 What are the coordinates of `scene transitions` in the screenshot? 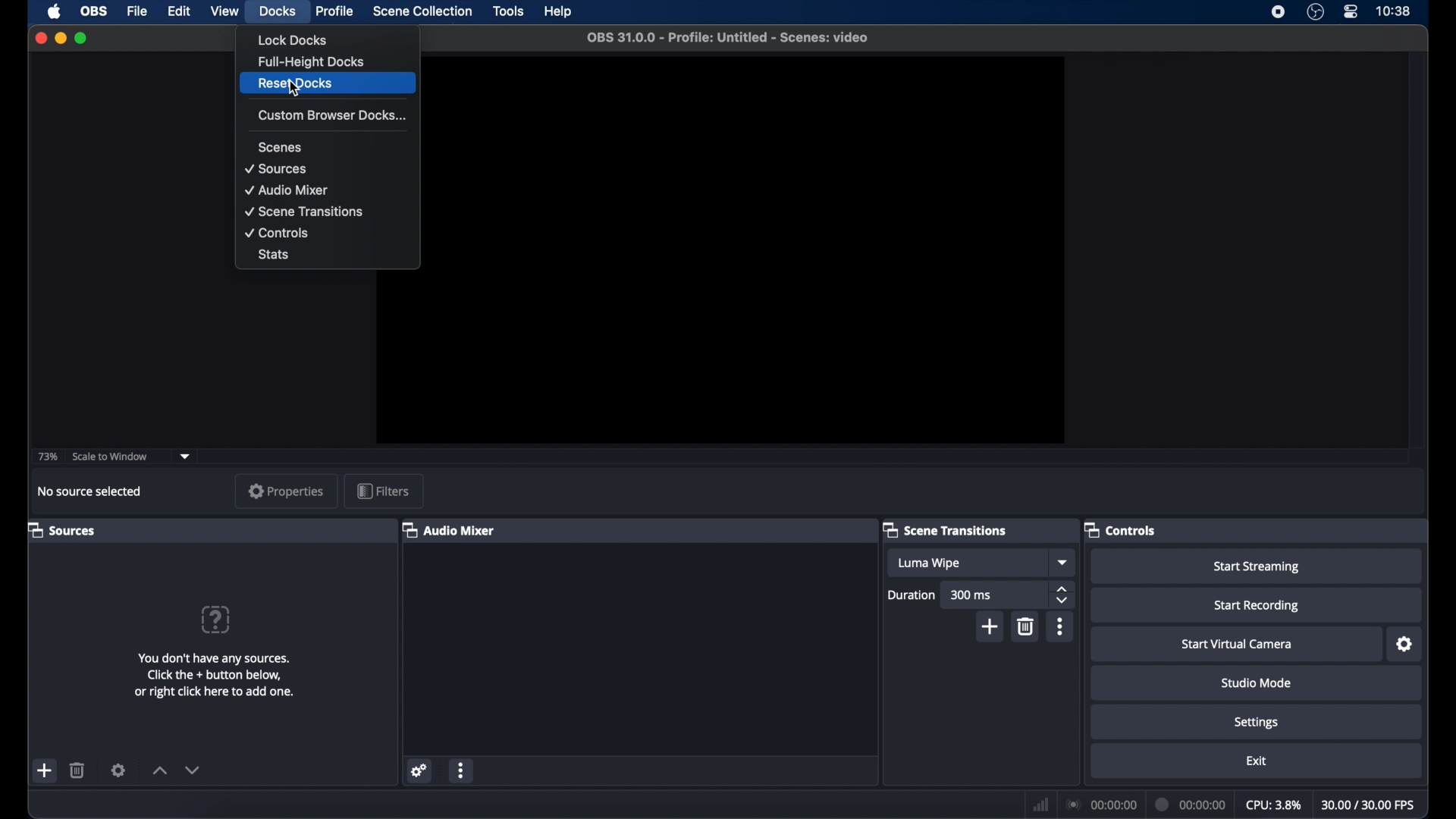 It's located at (946, 529).